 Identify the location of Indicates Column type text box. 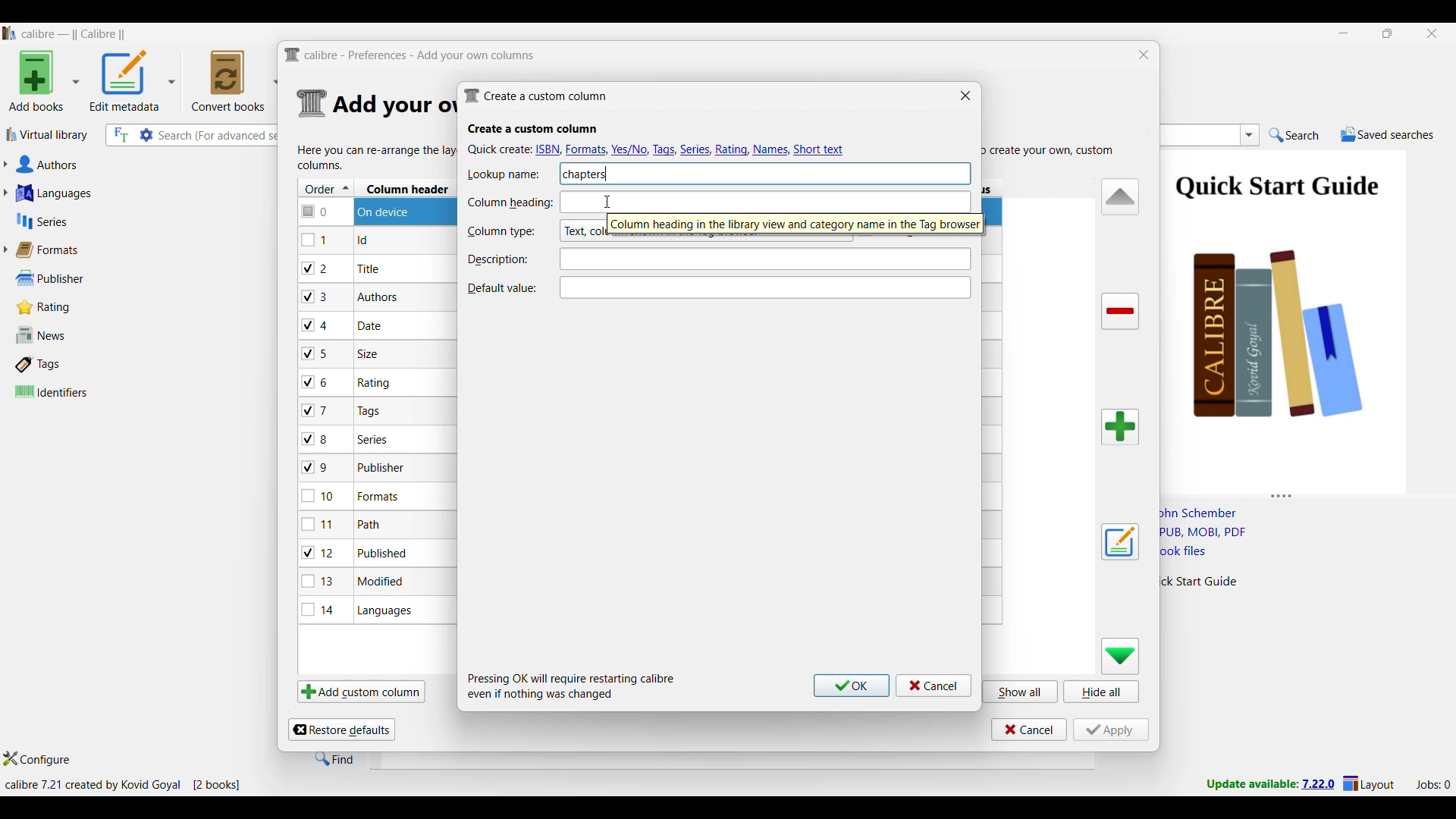
(500, 232).